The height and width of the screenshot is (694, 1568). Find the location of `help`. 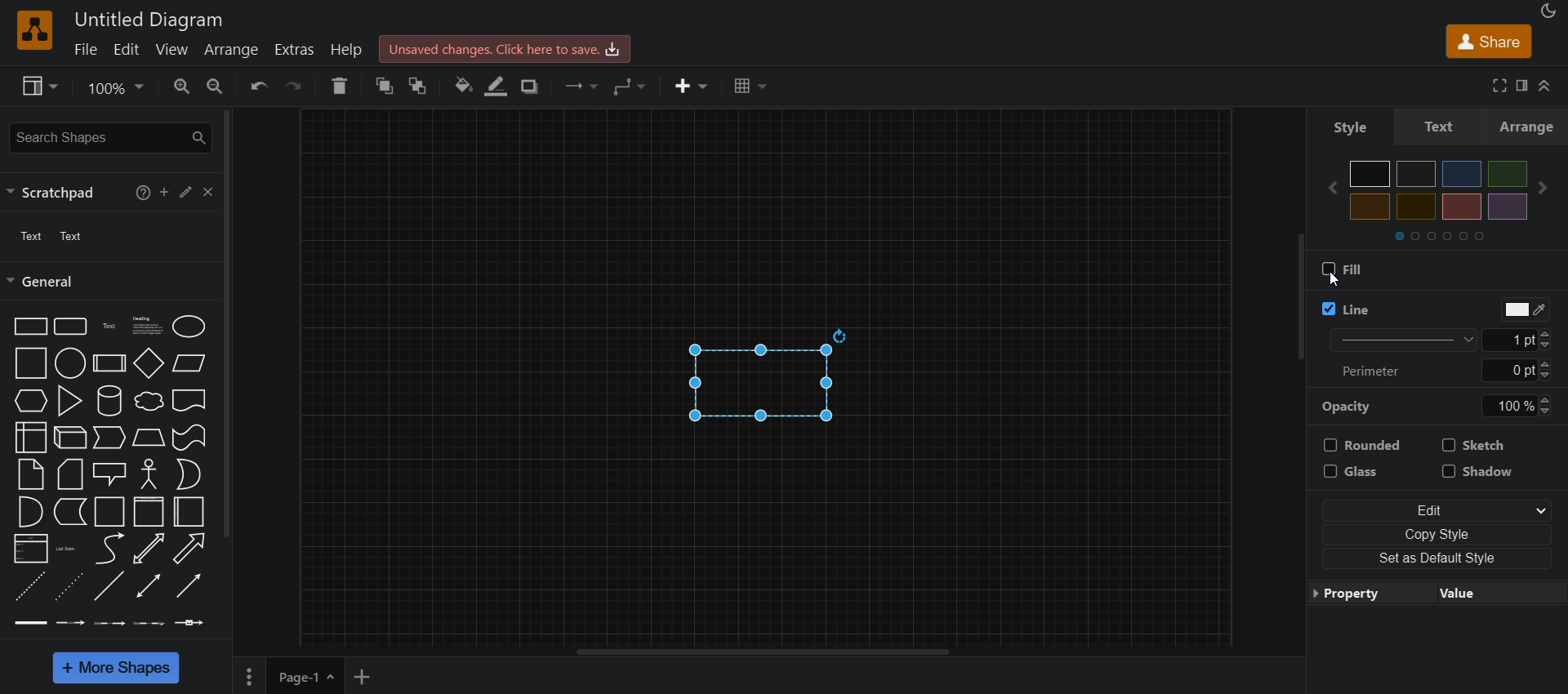

help is located at coordinates (338, 87).